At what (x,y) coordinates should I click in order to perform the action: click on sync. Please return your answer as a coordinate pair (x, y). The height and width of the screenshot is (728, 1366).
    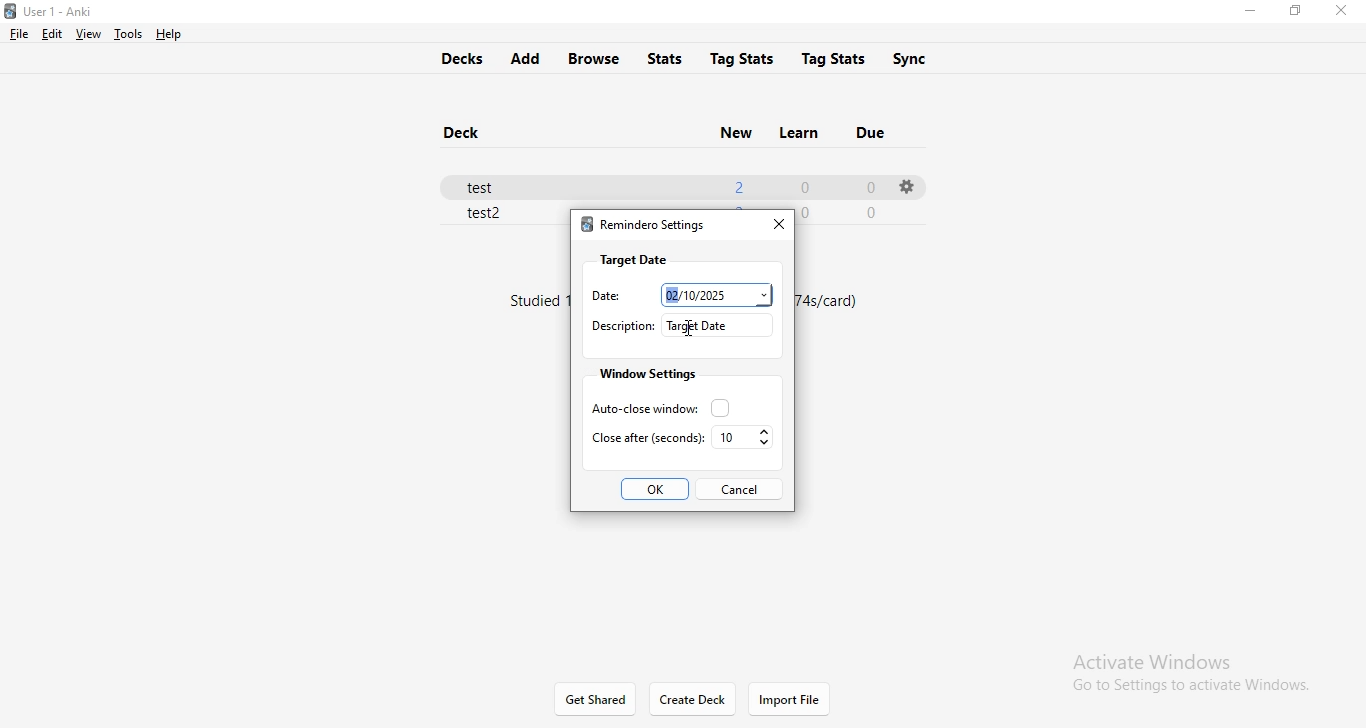
    Looking at the image, I should click on (923, 59).